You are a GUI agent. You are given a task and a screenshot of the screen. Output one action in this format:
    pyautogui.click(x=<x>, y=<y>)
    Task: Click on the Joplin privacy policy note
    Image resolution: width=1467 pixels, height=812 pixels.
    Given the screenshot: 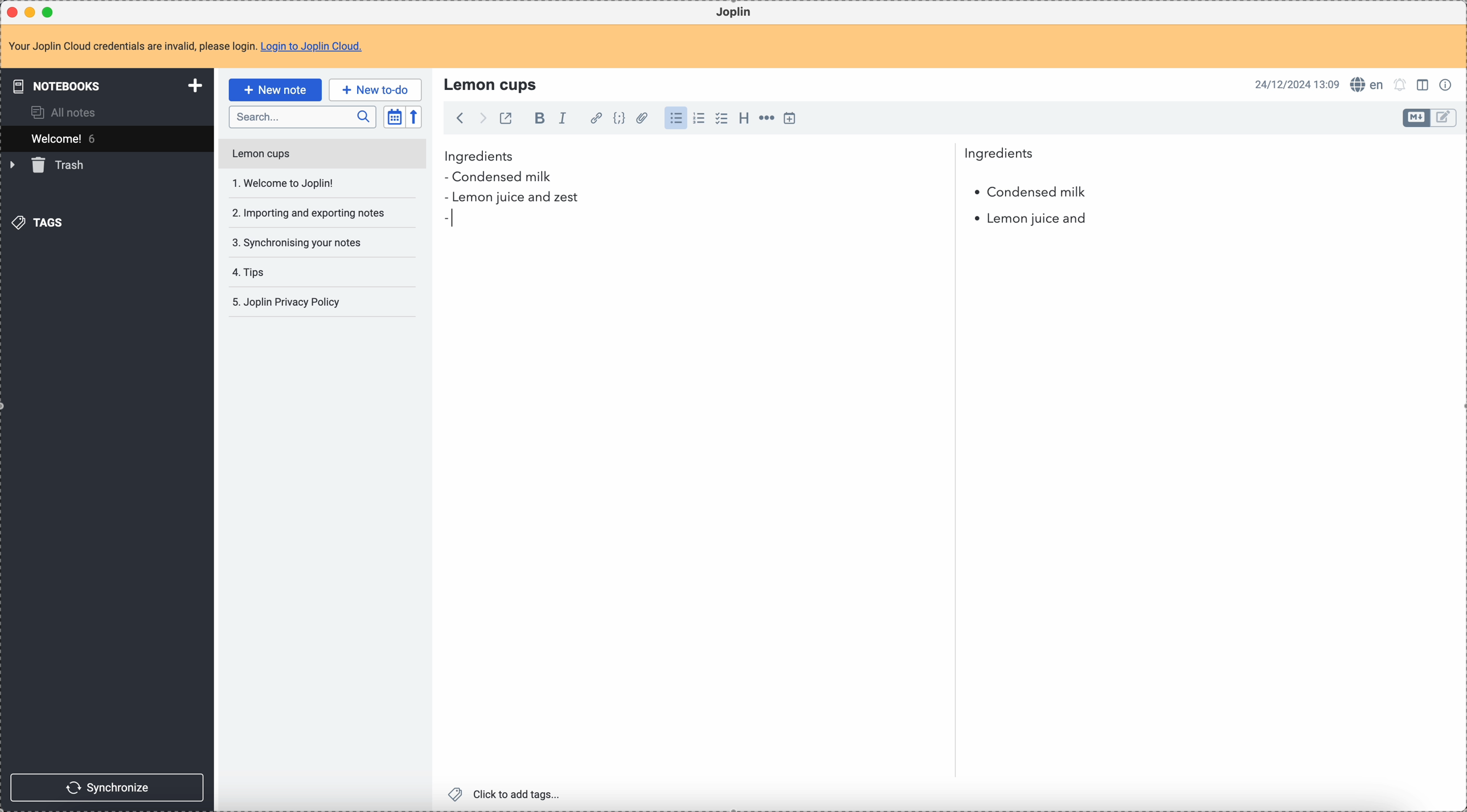 What is the action you would take?
    pyautogui.click(x=289, y=302)
    